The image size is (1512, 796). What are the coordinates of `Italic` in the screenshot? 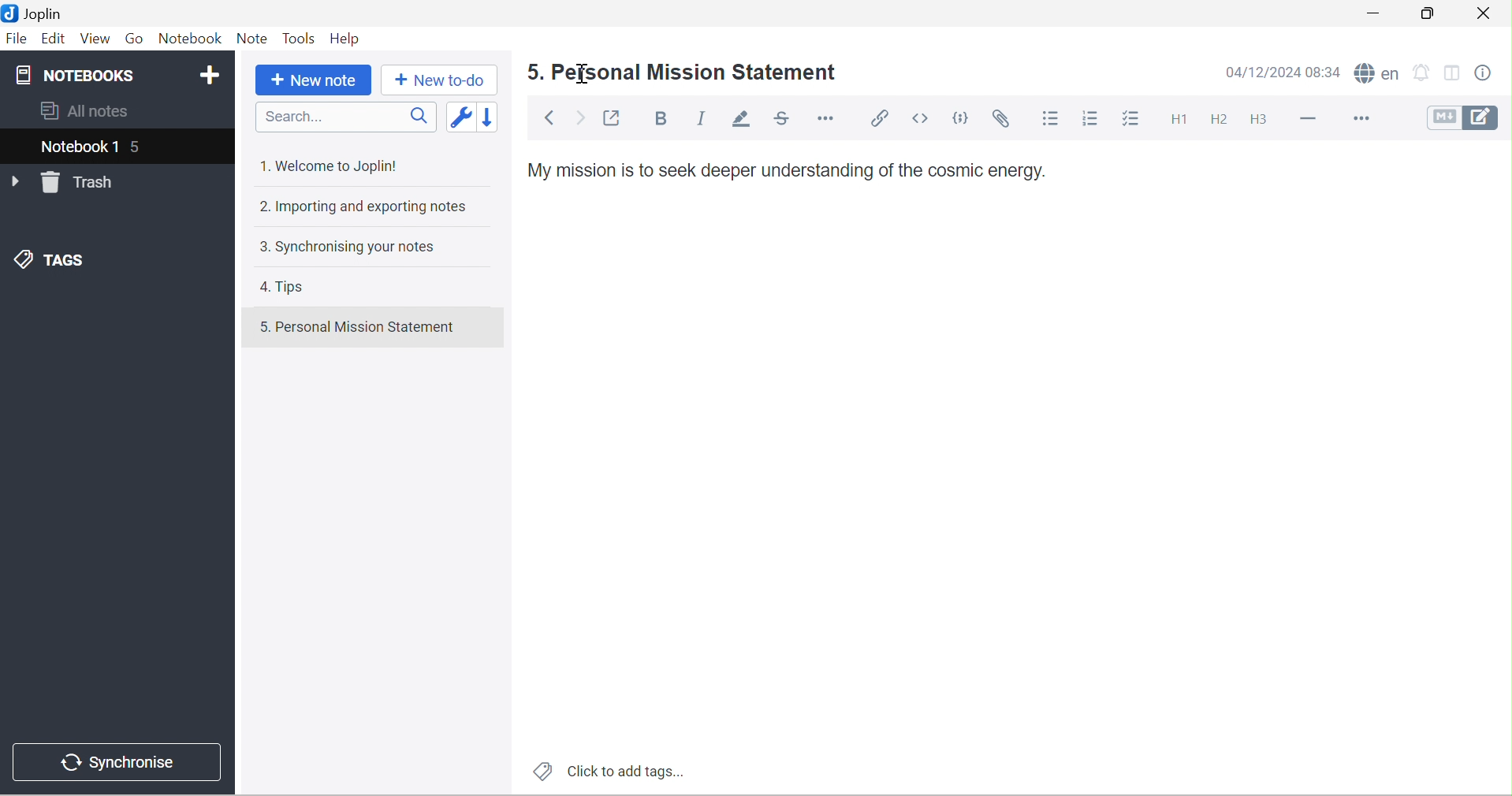 It's located at (705, 117).